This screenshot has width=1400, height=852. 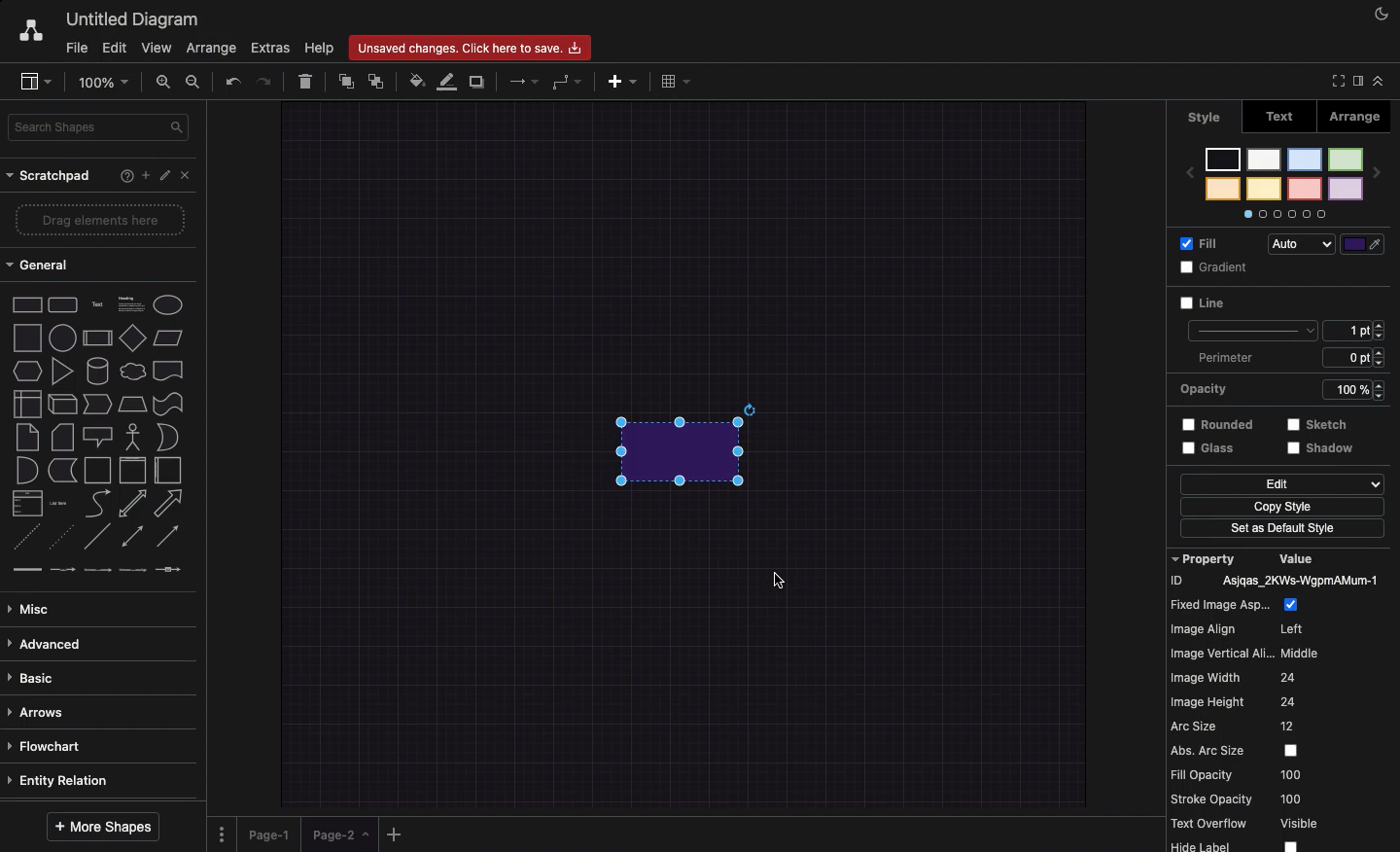 I want to click on shadow, so click(x=1323, y=449).